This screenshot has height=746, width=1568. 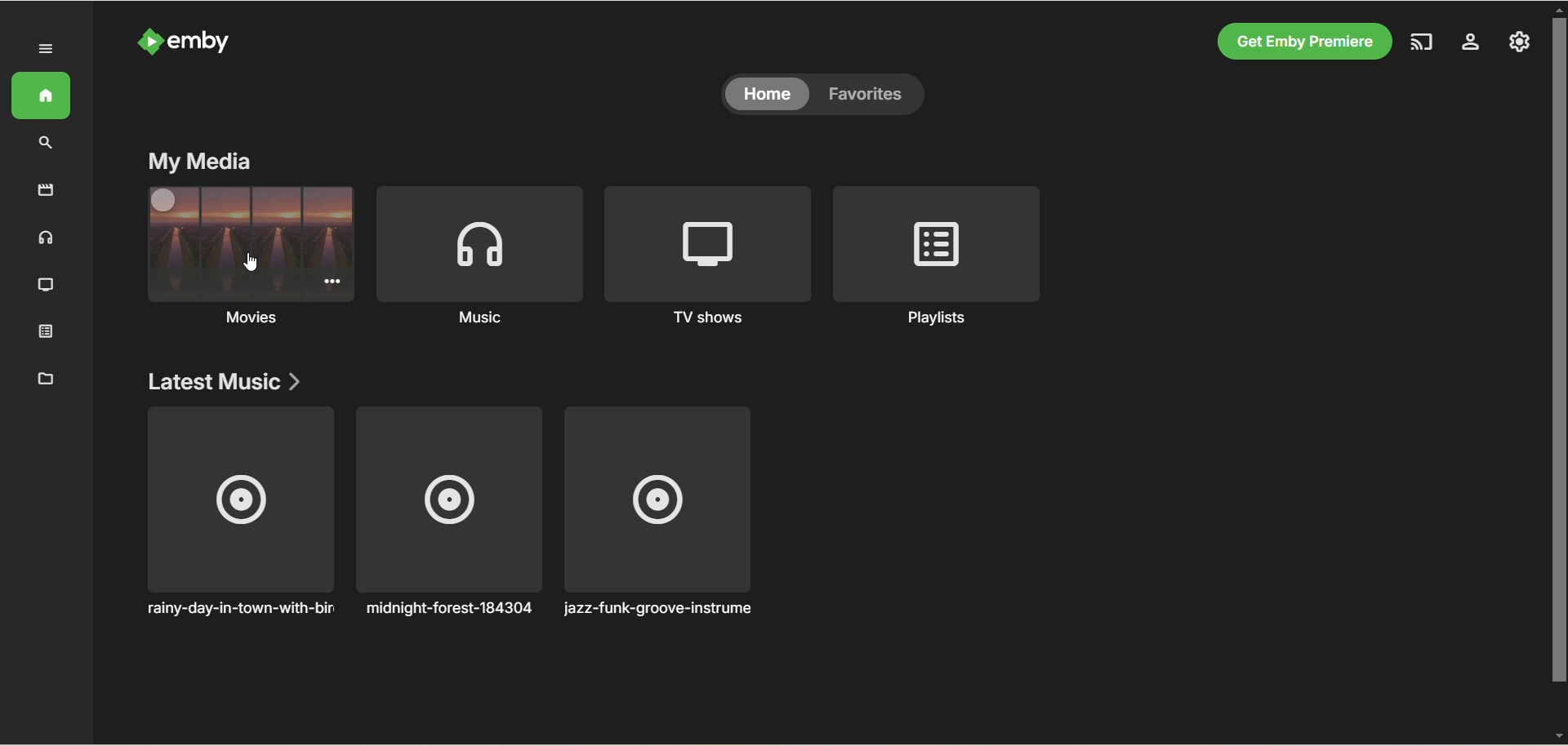 What do you see at coordinates (707, 257) in the screenshot?
I see `TV shows` at bounding box center [707, 257].